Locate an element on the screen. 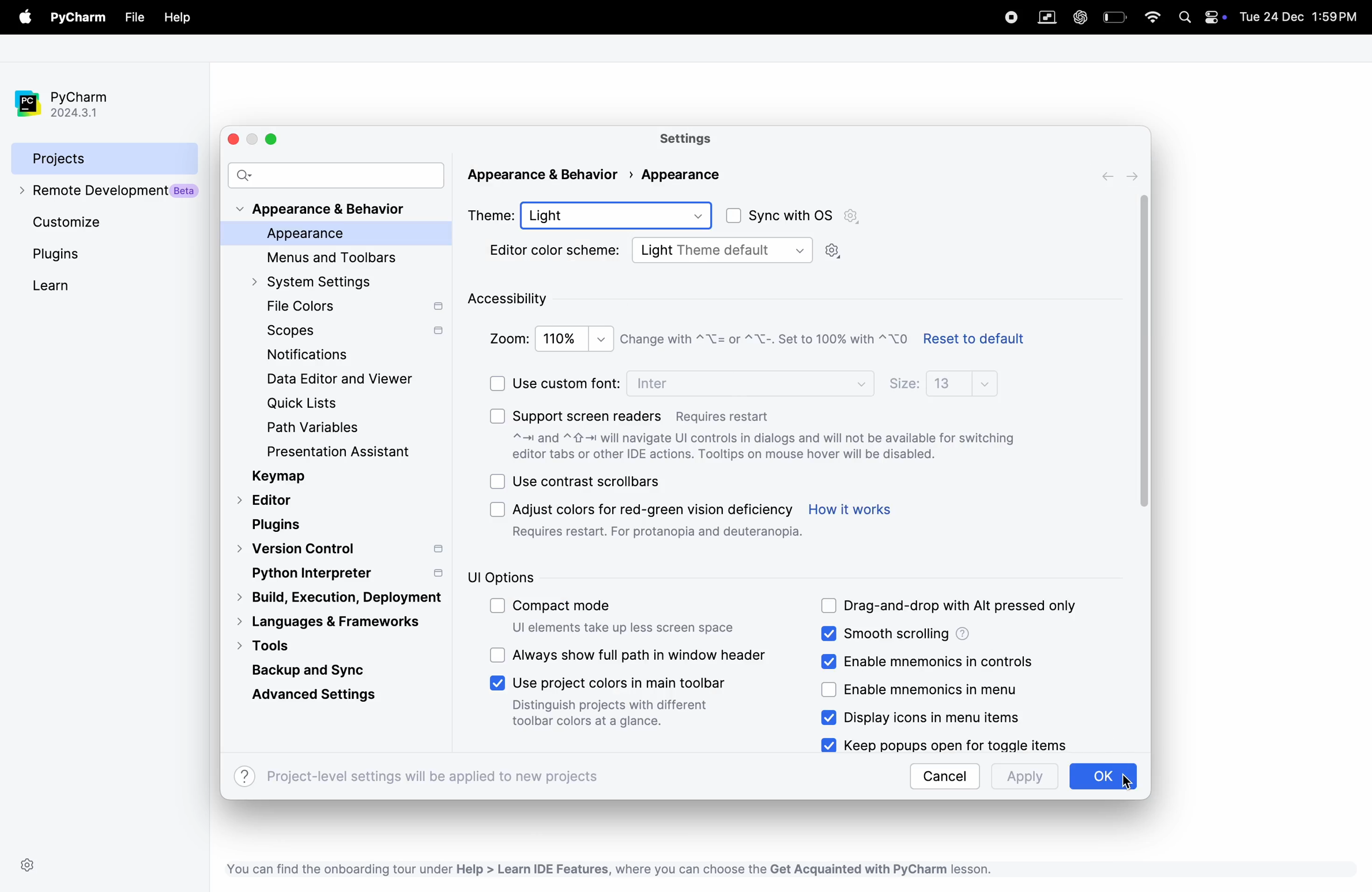 This screenshot has height=892, width=1372. Appearance & Behavior is located at coordinates (546, 174).